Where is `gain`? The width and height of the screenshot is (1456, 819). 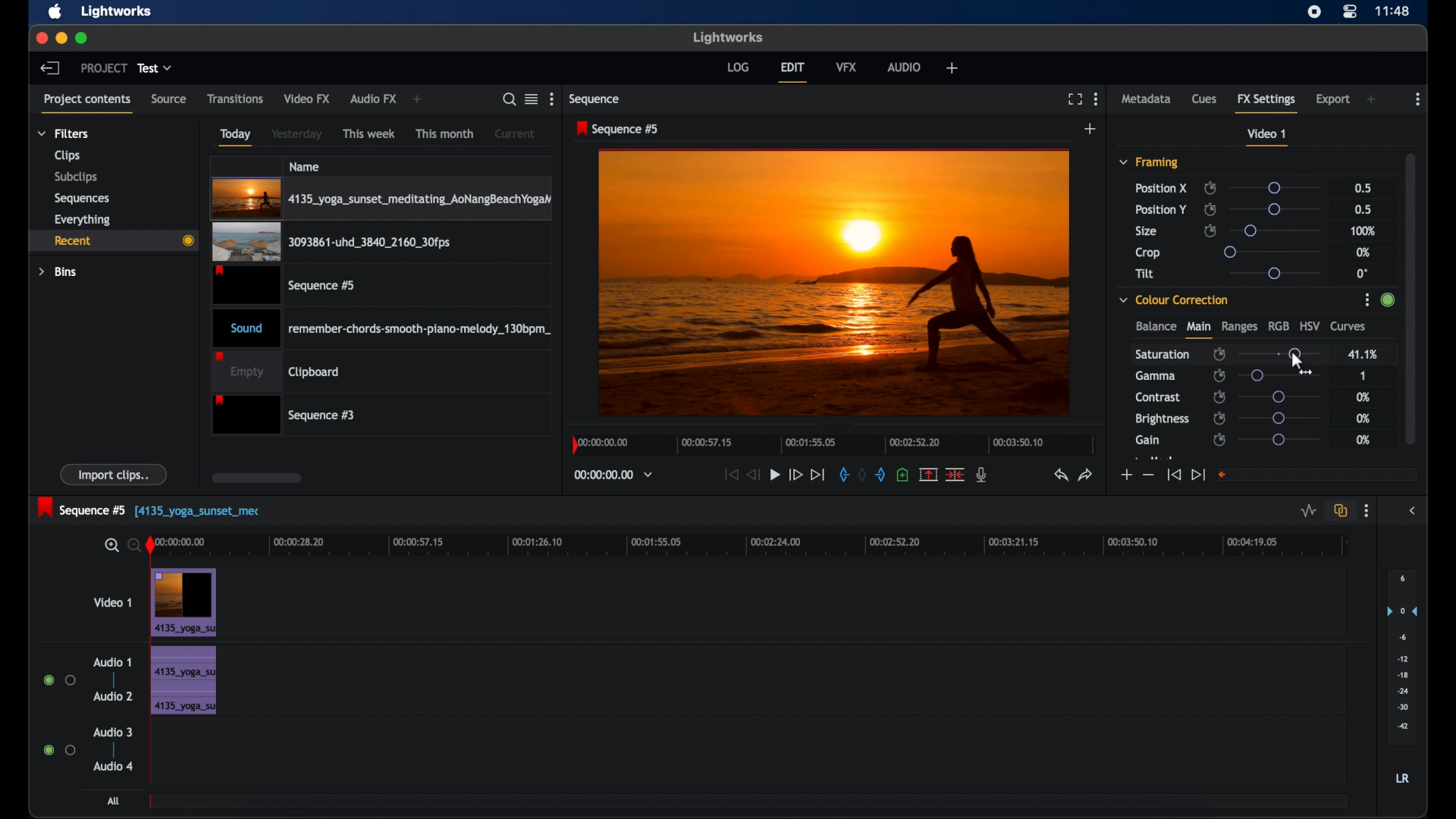 gain is located at coordinates (1147, 440).